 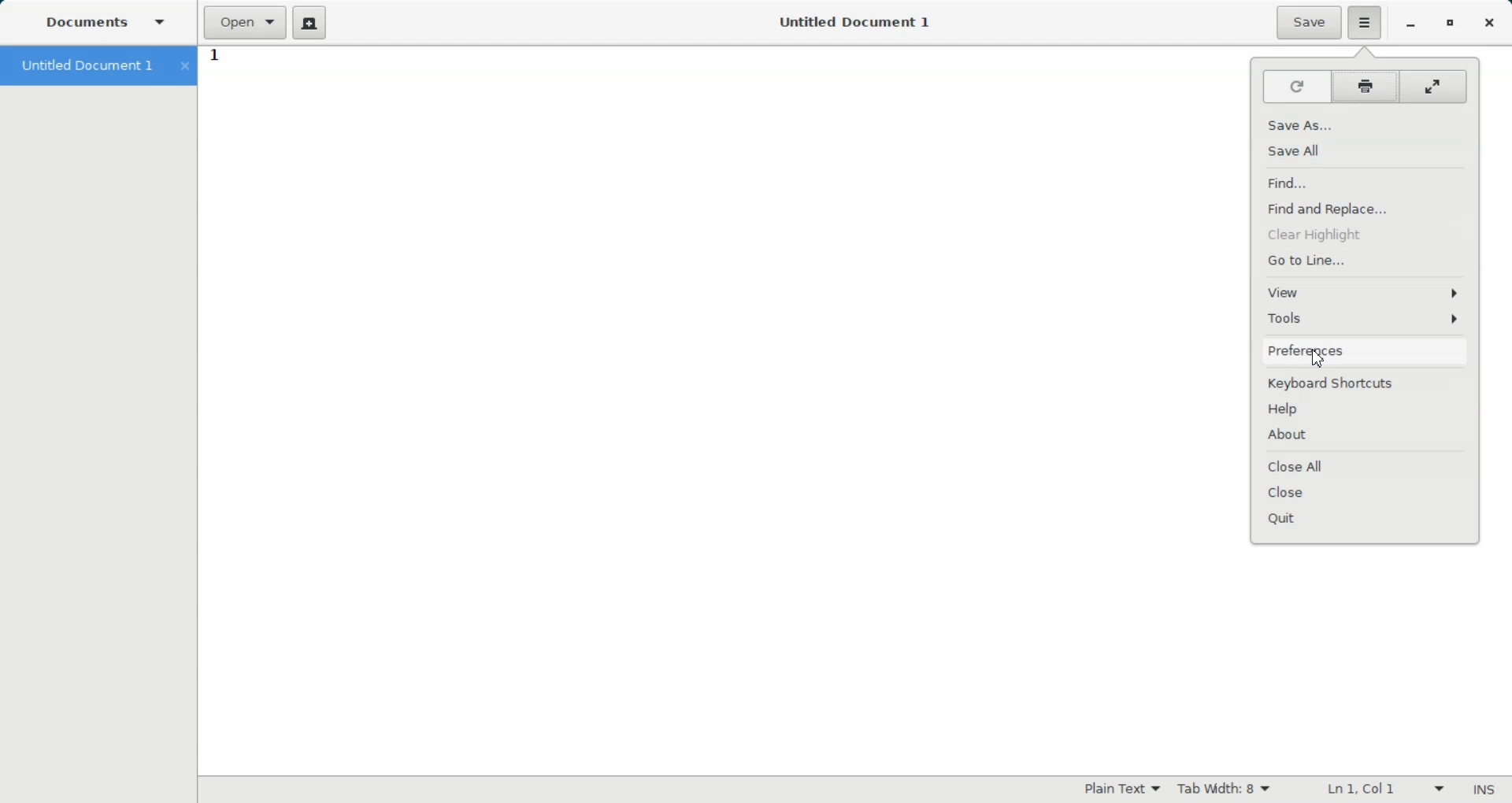 What do you see at coordinates (1488, 24) in the screenshot?
I see `Close` at bounding box center [1488, 24].